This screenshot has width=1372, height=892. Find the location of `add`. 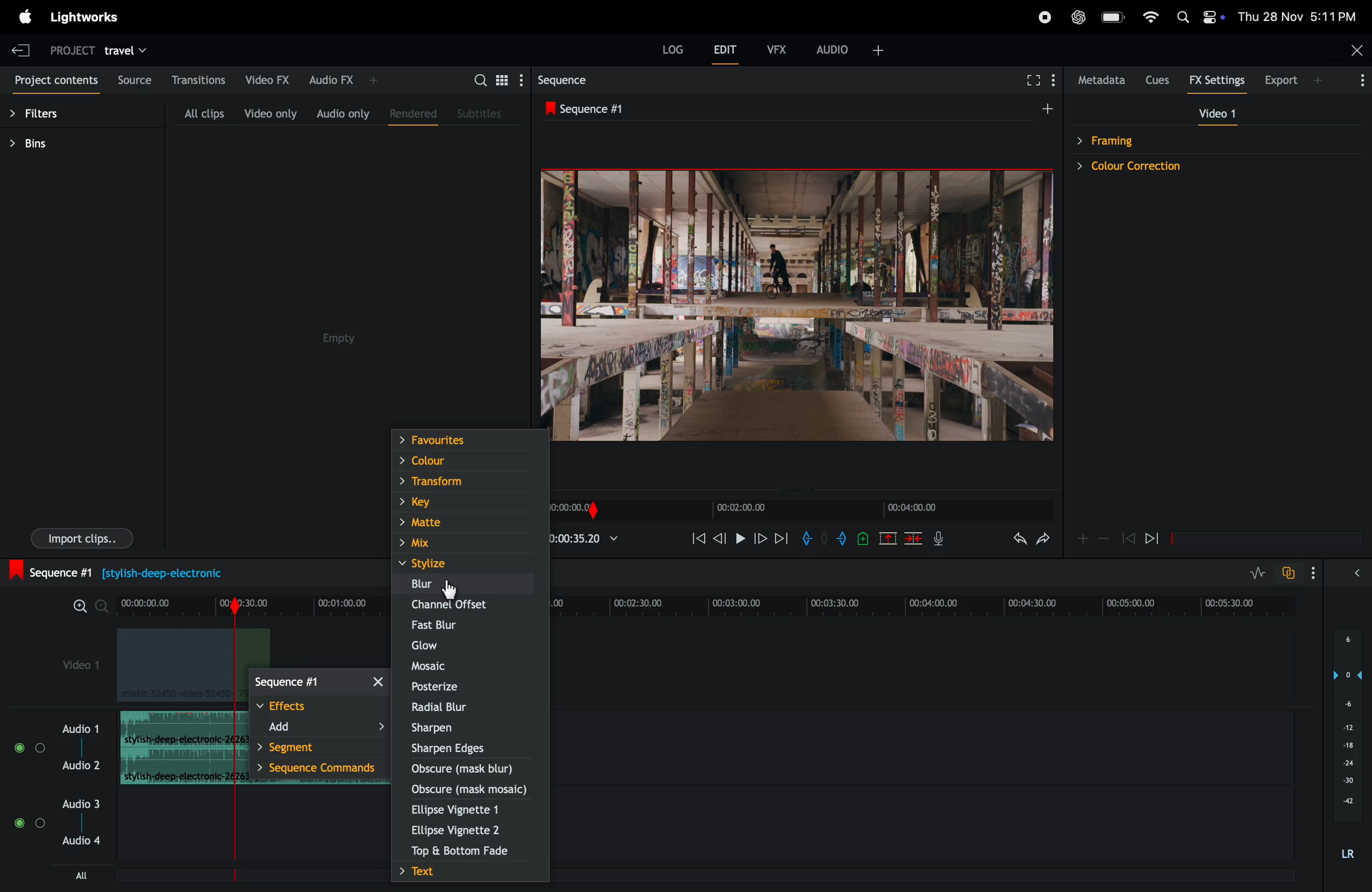

add is located at coordinates (323, 729).